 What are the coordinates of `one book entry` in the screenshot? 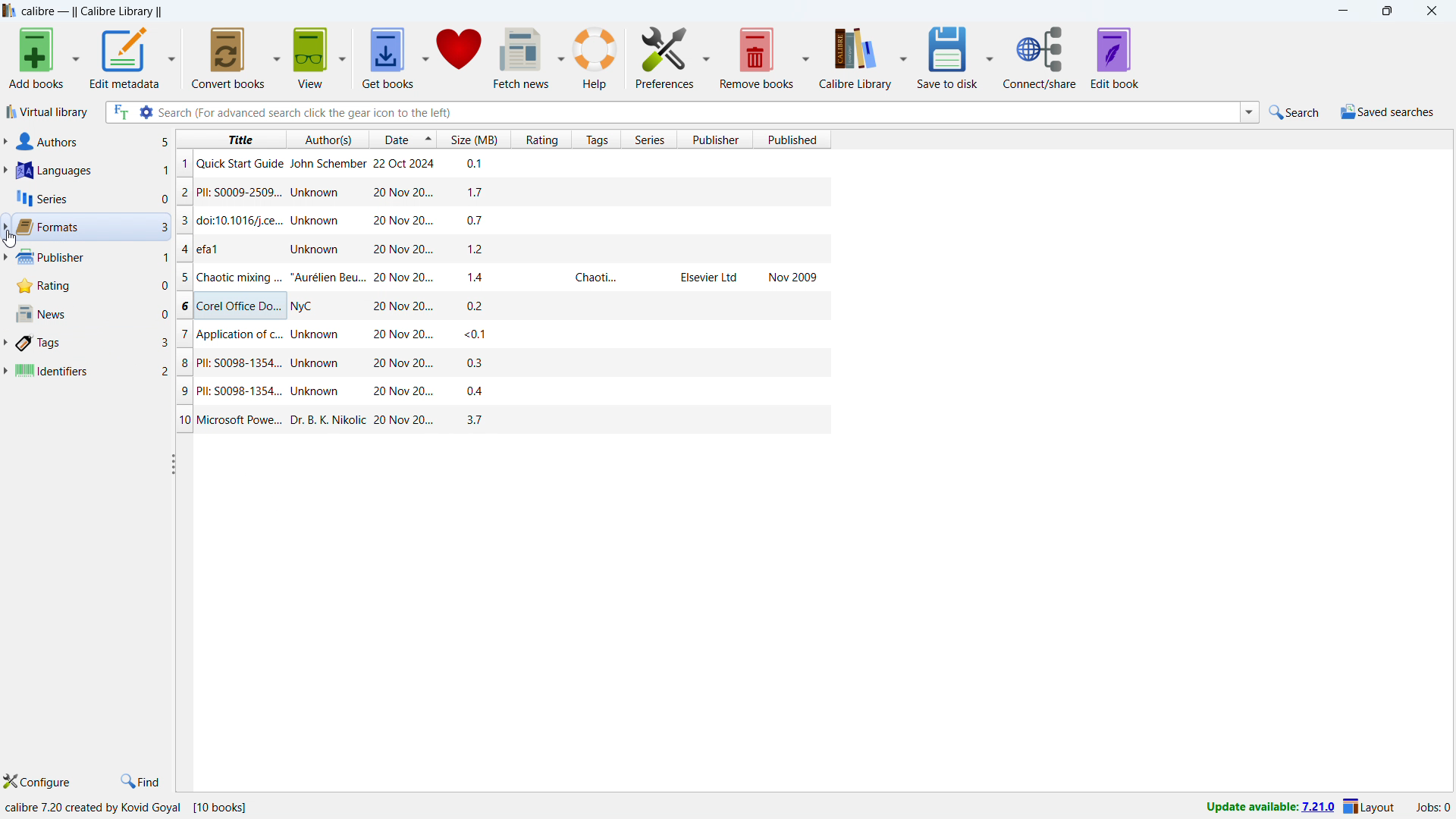 It's located at (494, 219).